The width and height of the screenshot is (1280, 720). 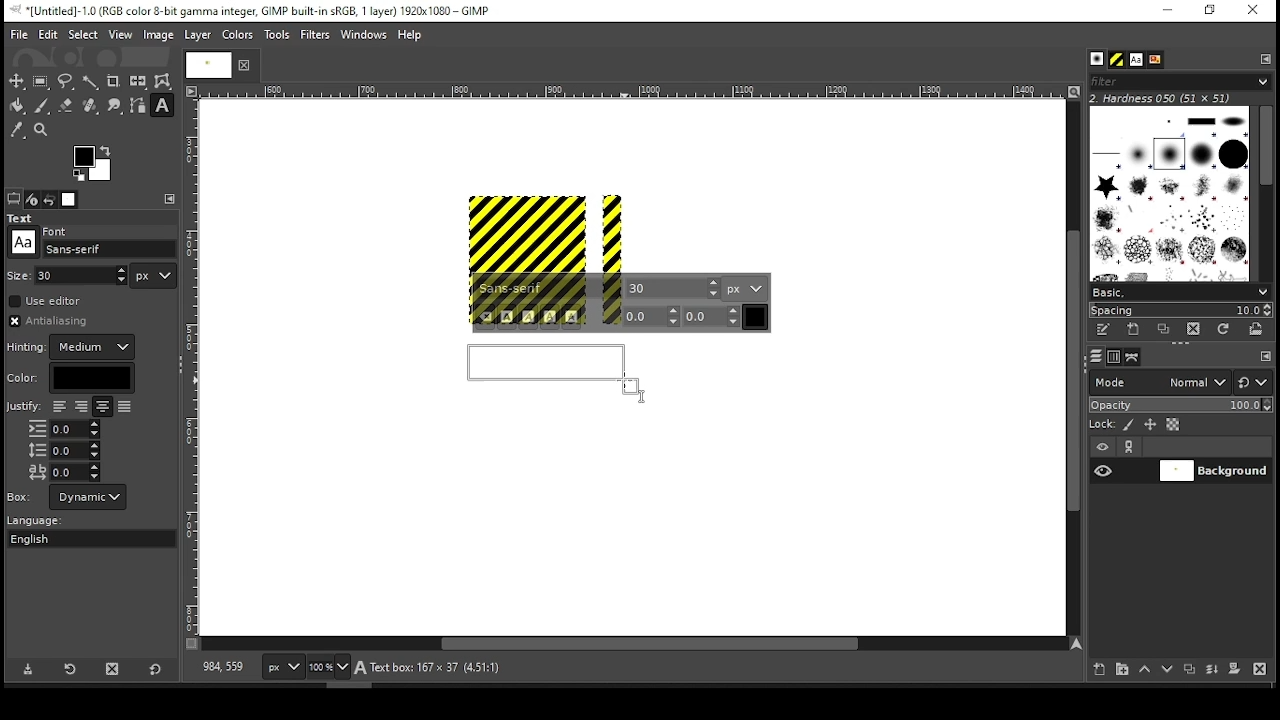 What do you see at coordinates (410, 36) in the screenshot?
I see `help` at bounding box center [410, 36].